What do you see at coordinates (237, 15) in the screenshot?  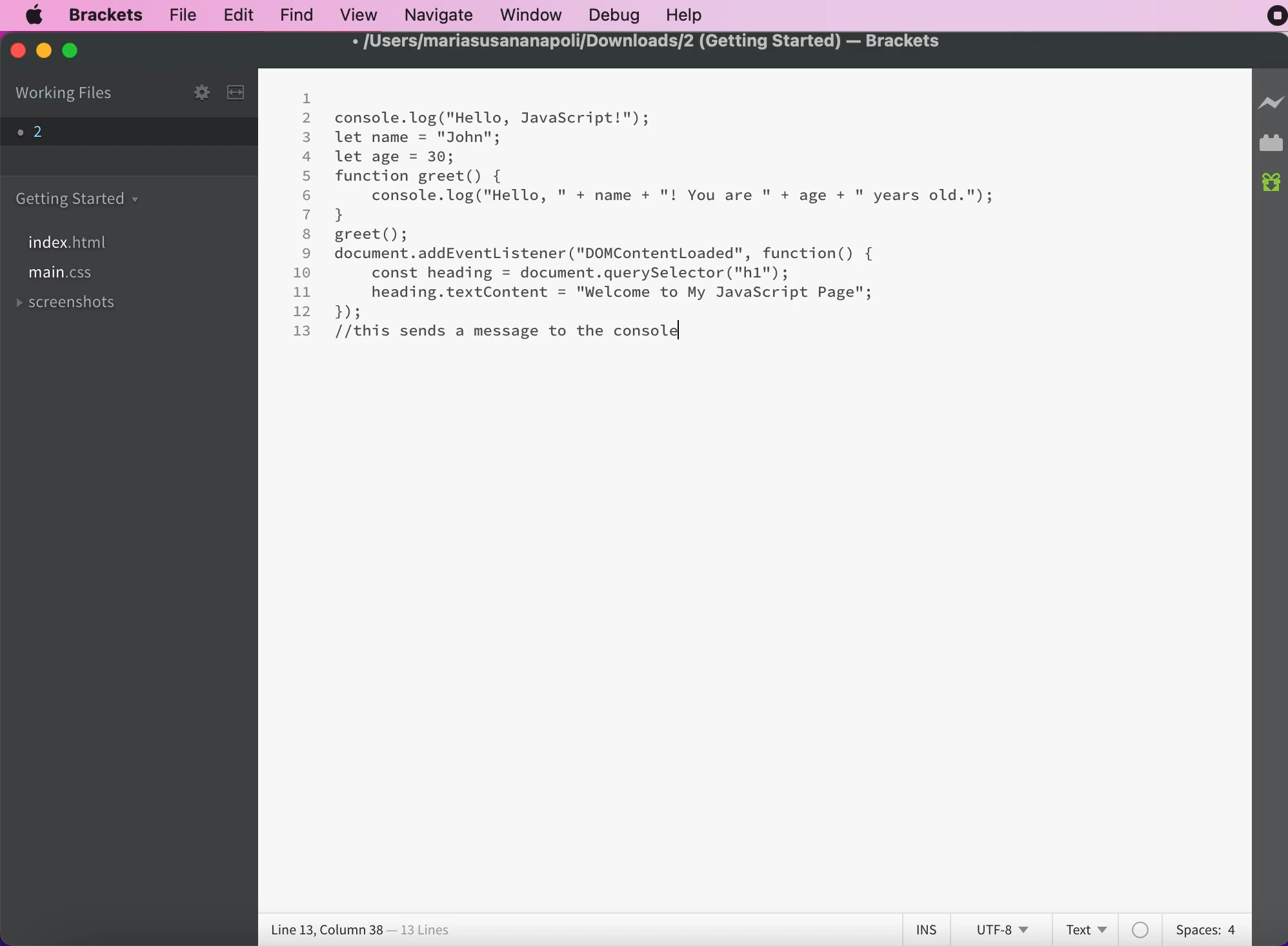 I see `edit` at bounding box center [237, 15].